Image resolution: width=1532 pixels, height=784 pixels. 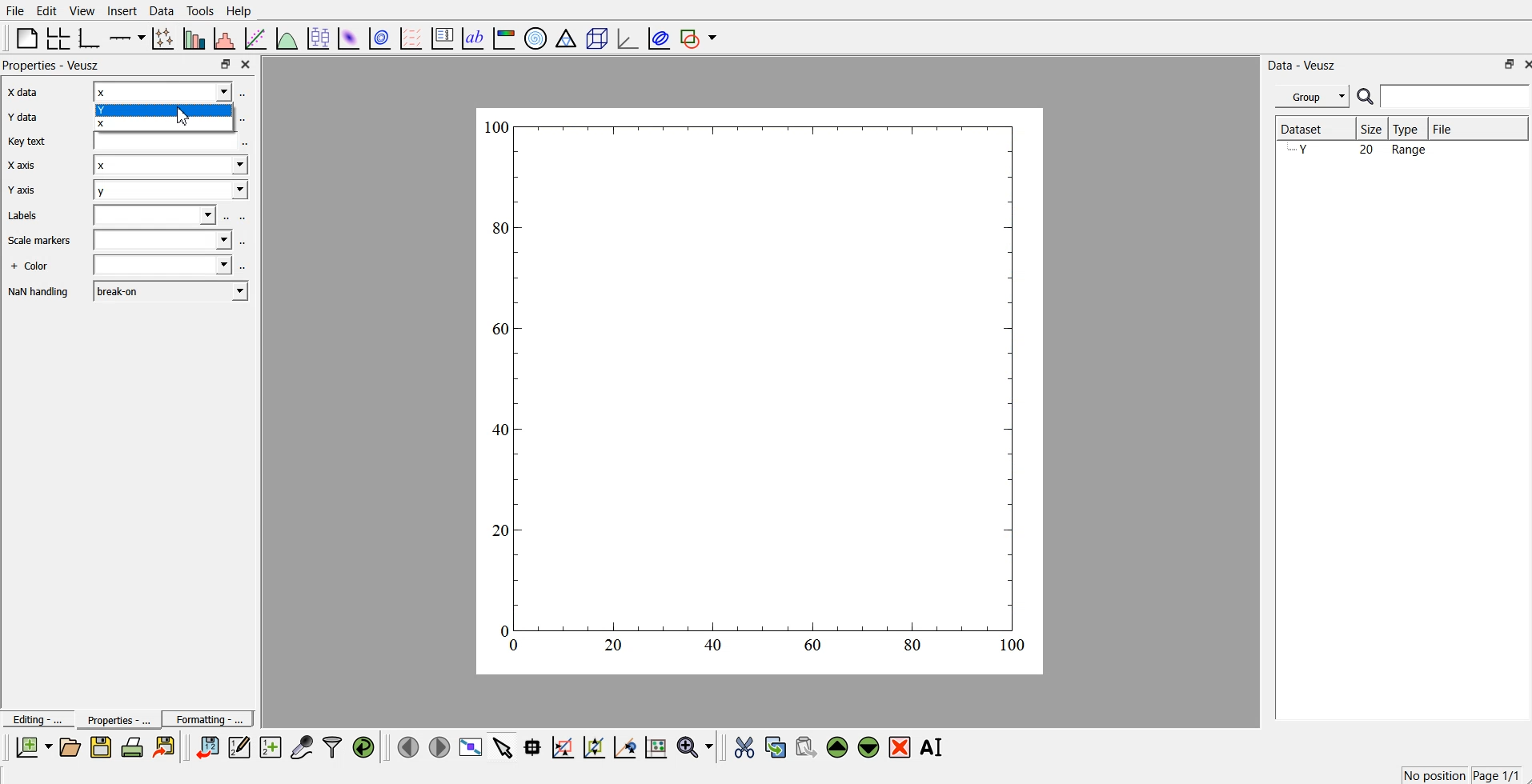 I want to click on blank page, so click(x=26, y=38).